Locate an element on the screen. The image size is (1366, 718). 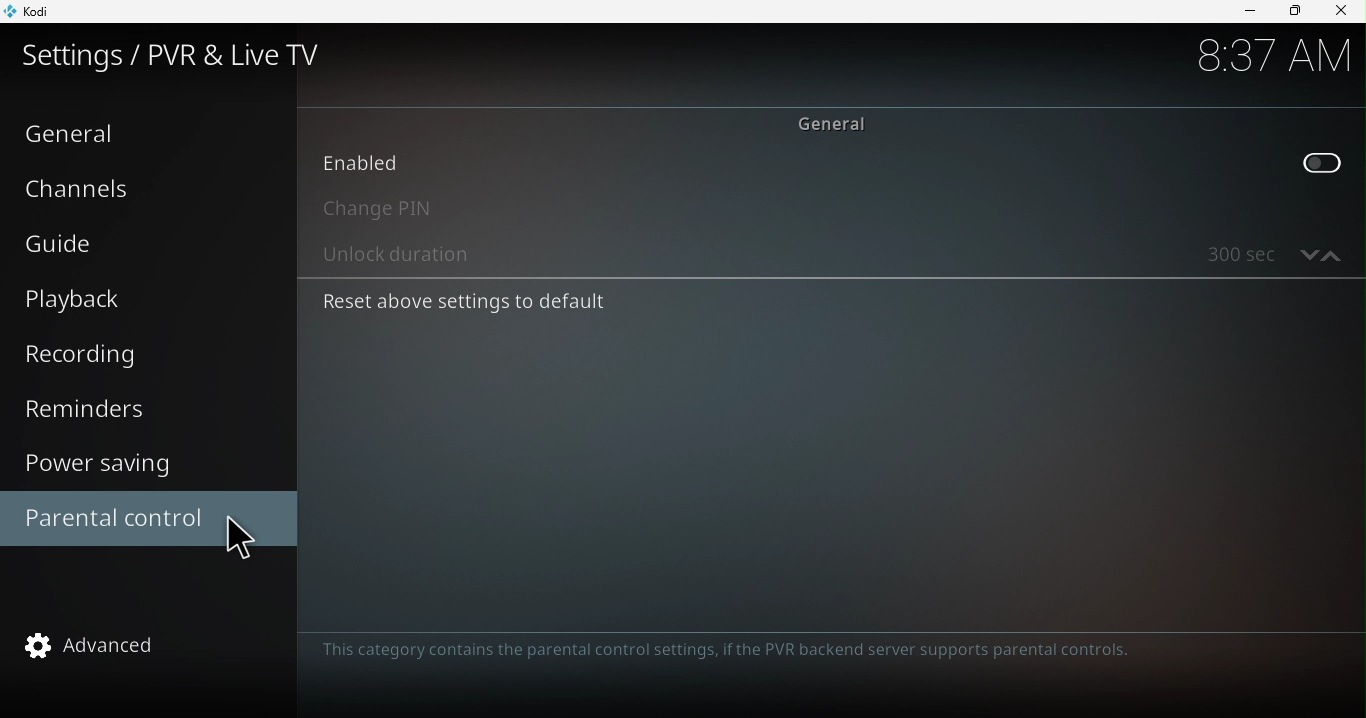
This category contains parental control settings, if the PVR backend server supports parental control is located at coordinates (734, 650).